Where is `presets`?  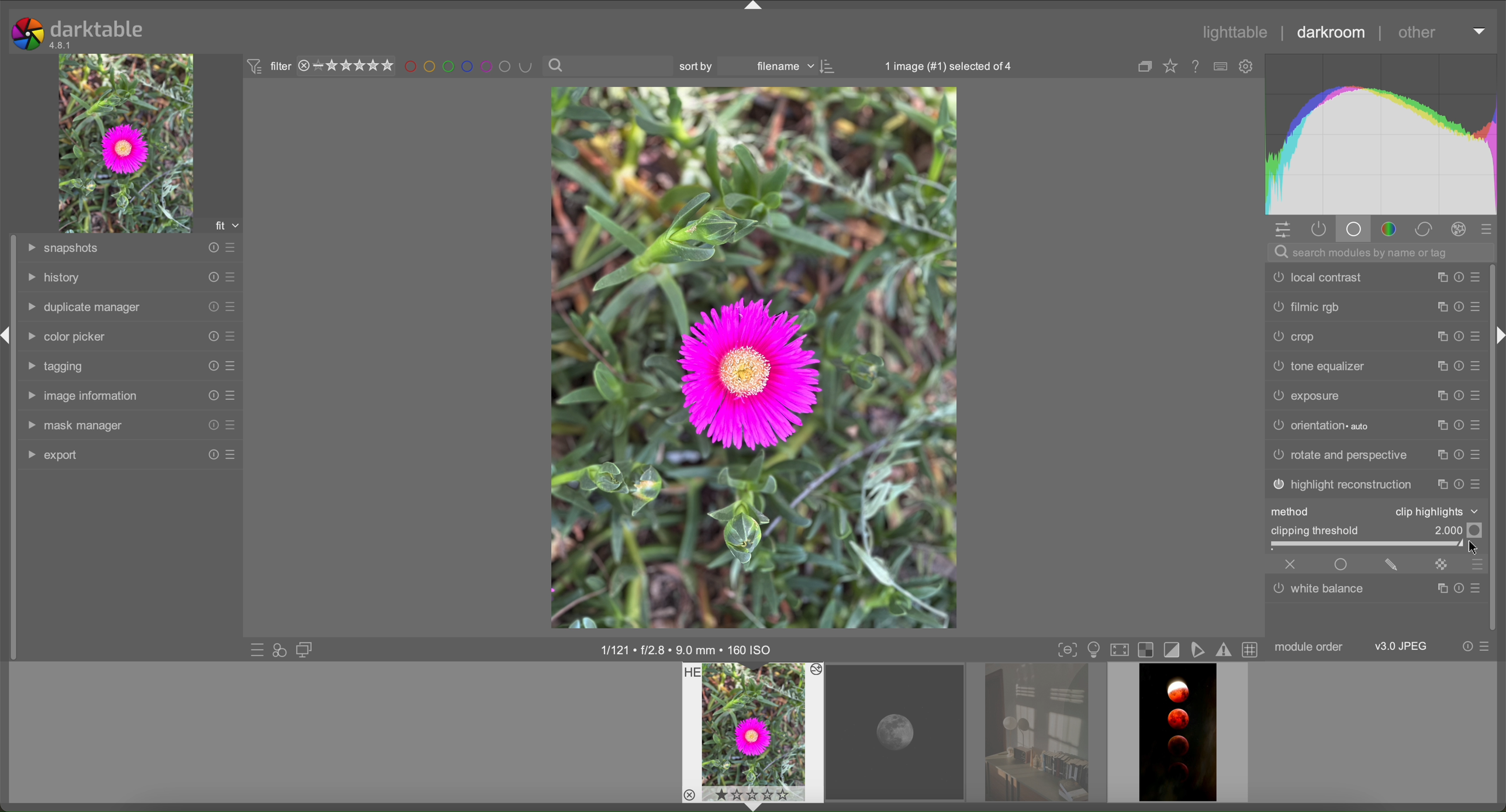 presets is located at coordinates (1477, 335).